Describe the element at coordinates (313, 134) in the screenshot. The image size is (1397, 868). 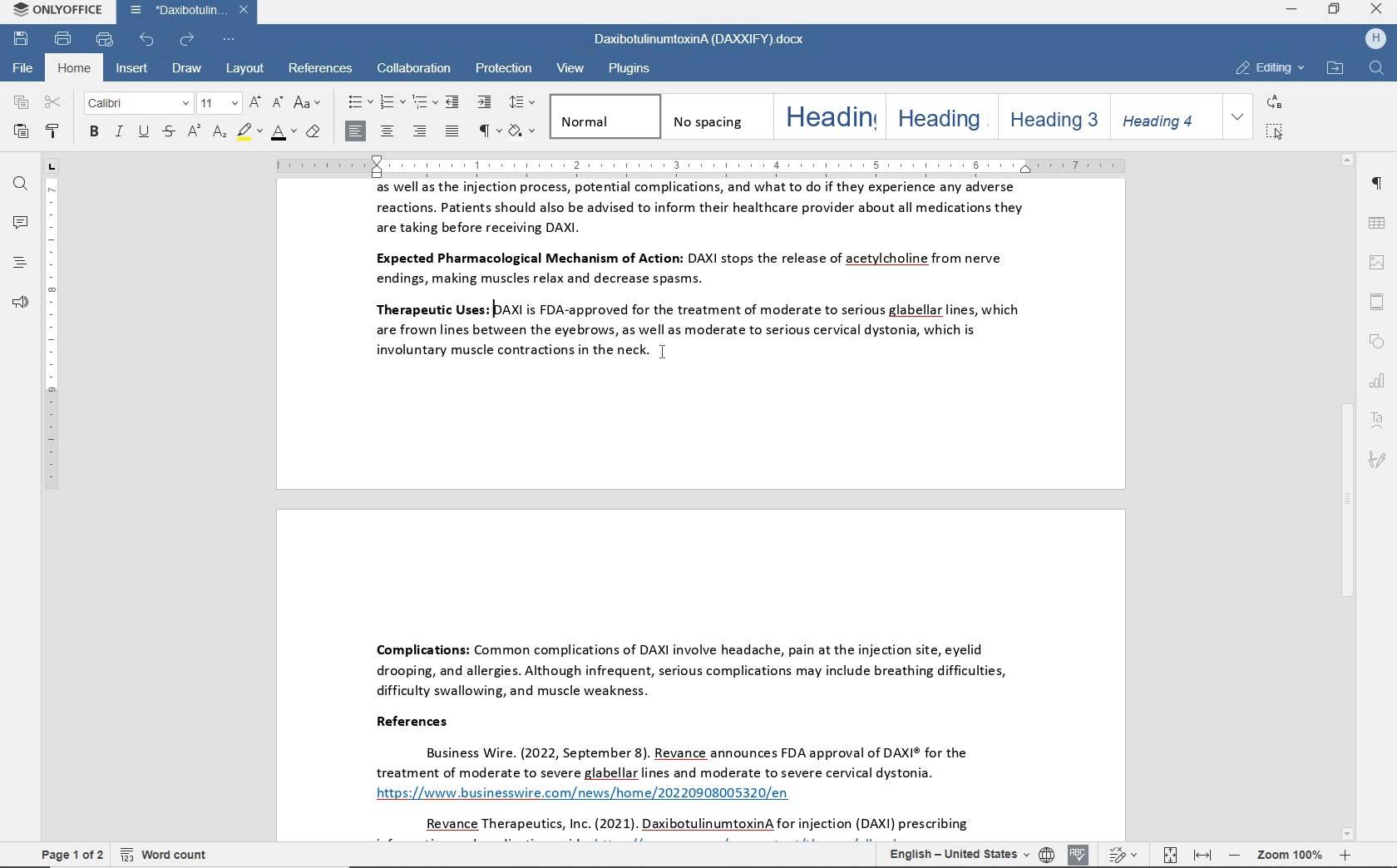
I see `clear style` at that location.